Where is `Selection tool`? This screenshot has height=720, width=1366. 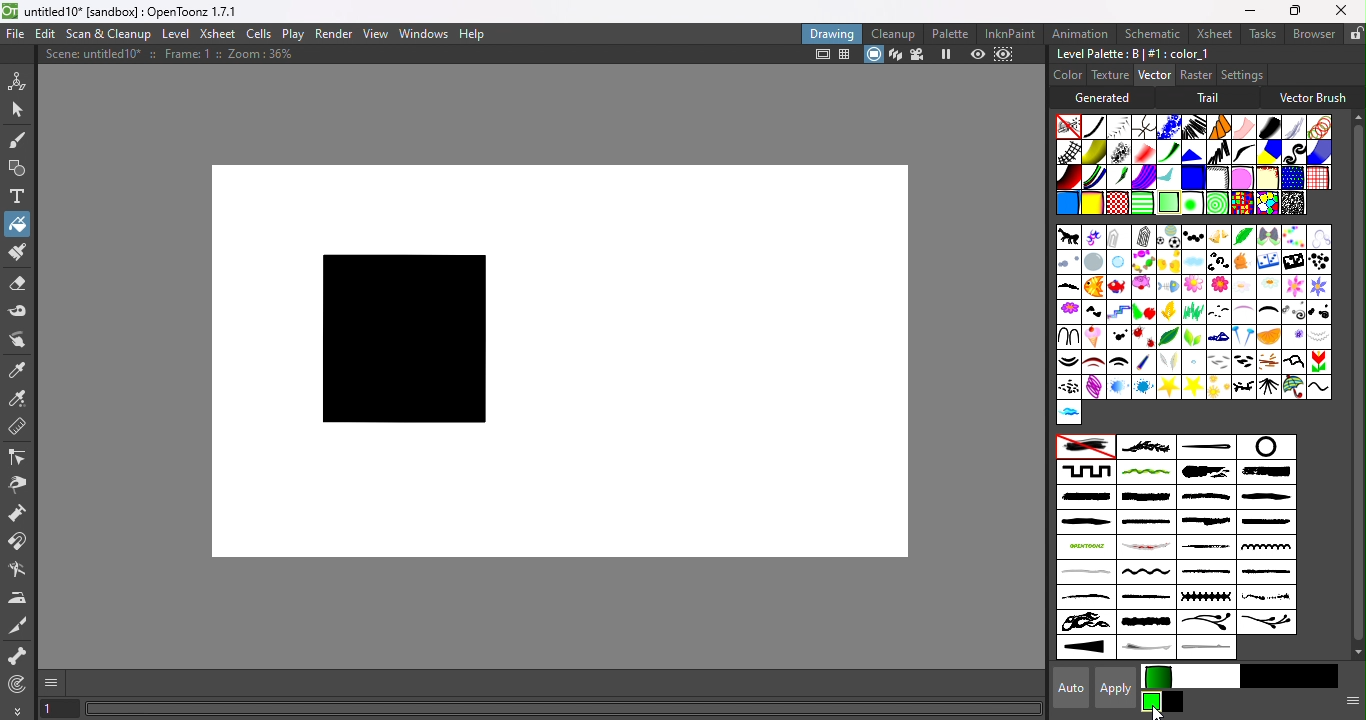
Selection tool is located at coordinates (17, 108).